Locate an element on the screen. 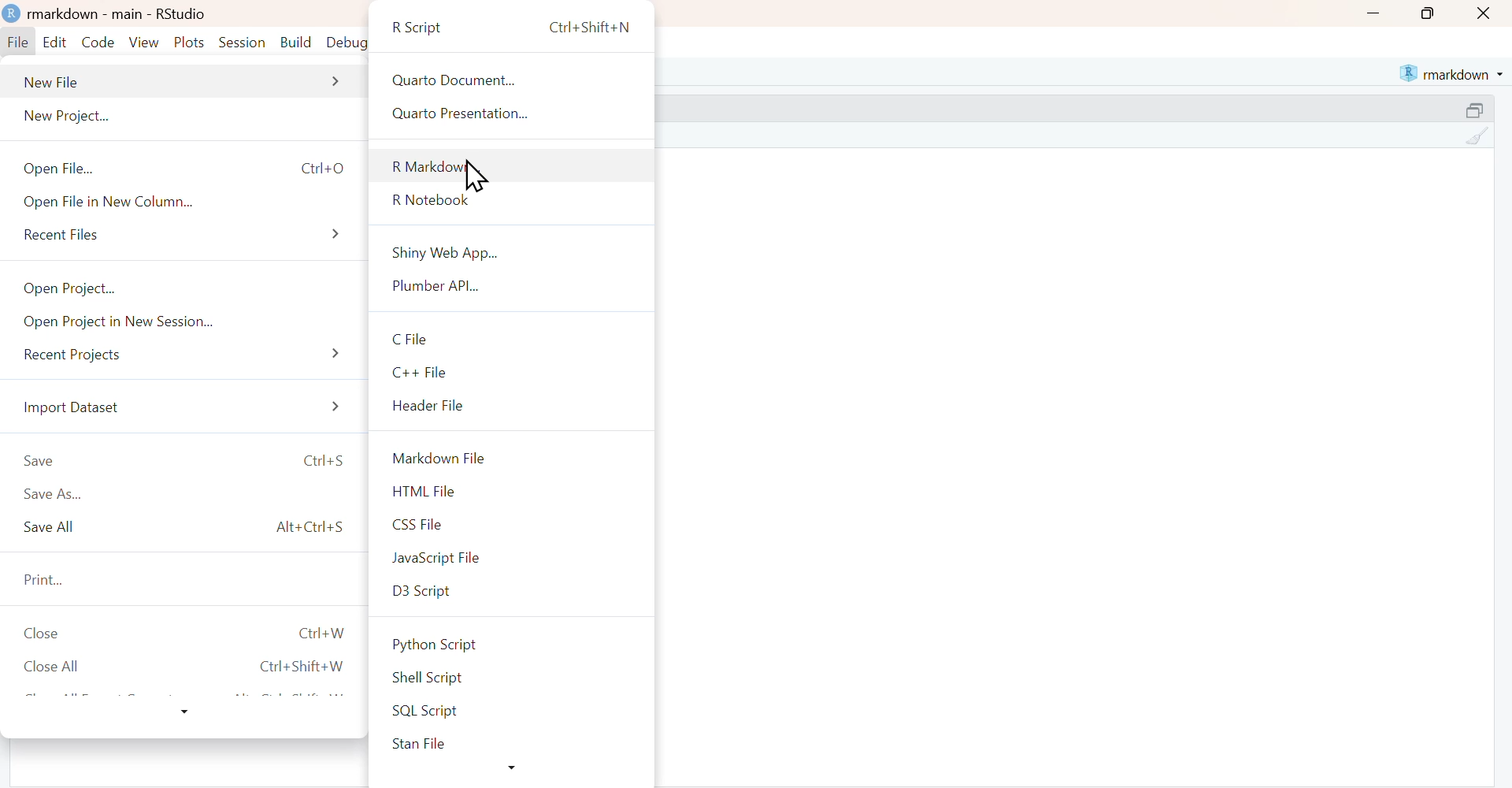 The image size is (1512, 788). Debug is located at coordinates (346, 43).